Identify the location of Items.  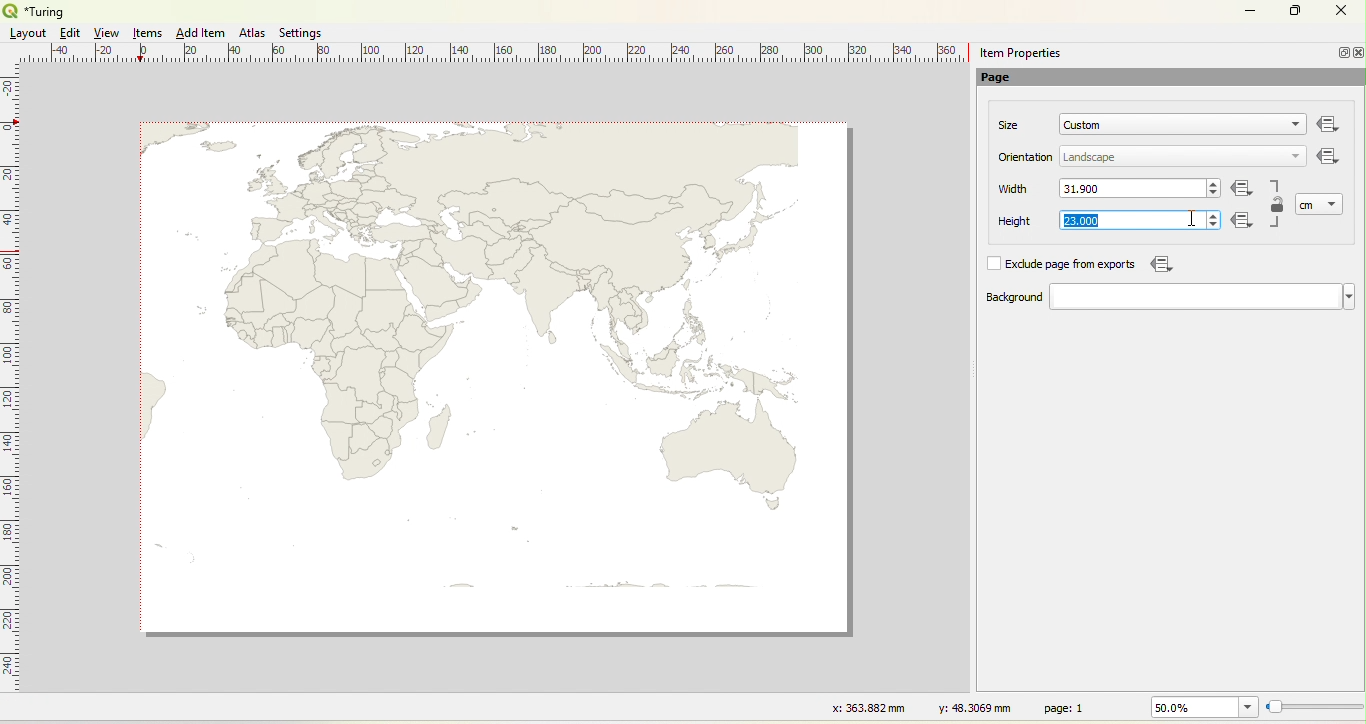
(149, 34).